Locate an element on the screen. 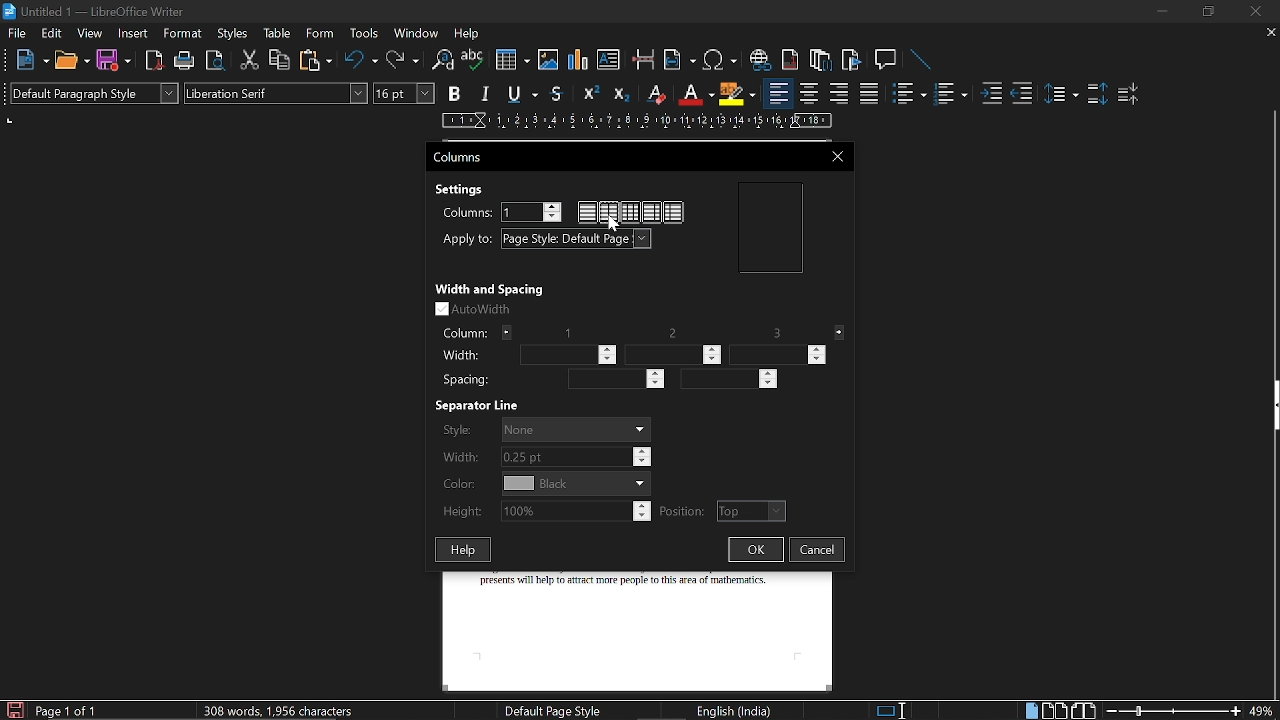 Image resolution: width=1280 pixels, height=720 pixels. Superscript is located at coordinates (590, 94).